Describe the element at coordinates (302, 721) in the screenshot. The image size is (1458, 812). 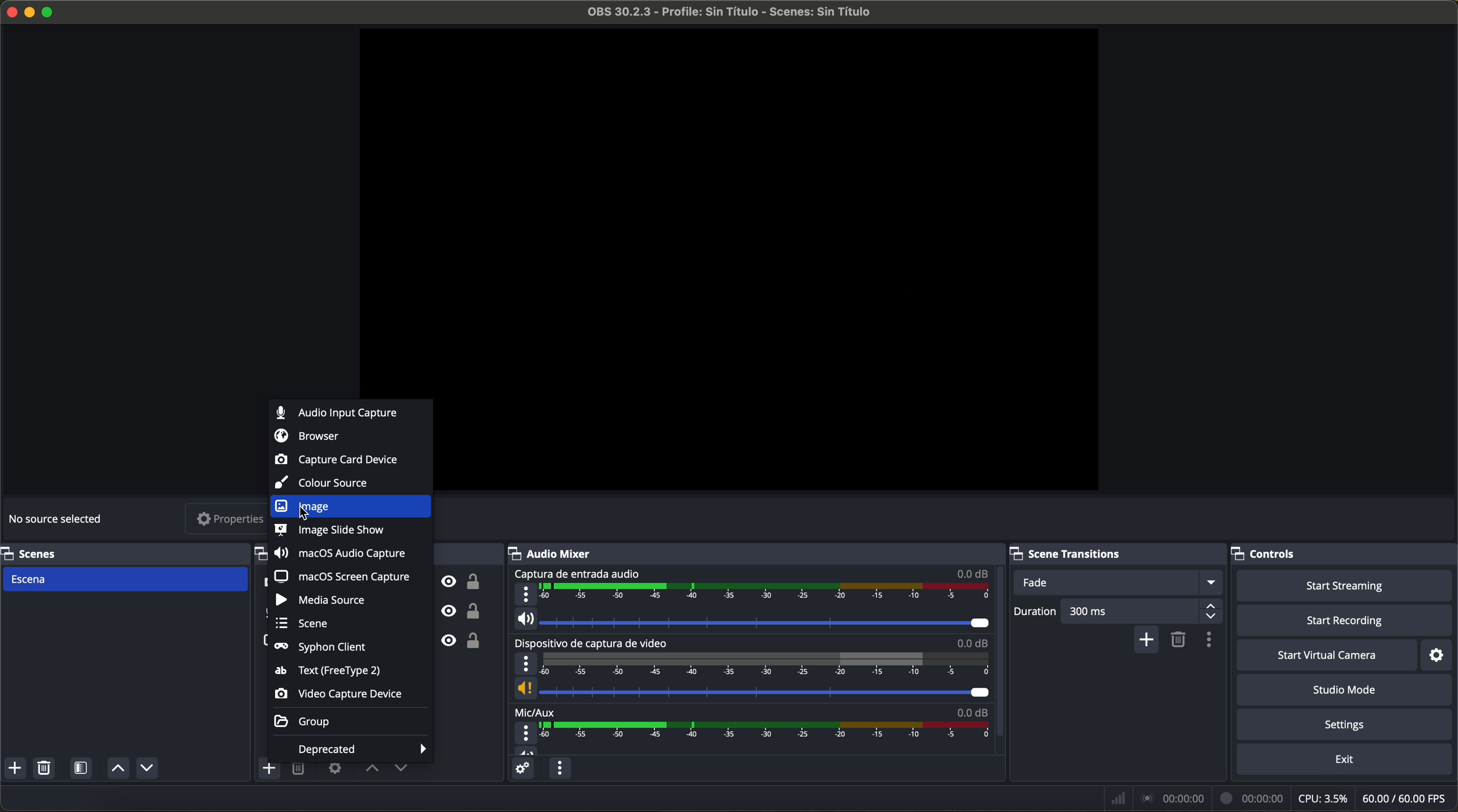
I see `group` at that location.